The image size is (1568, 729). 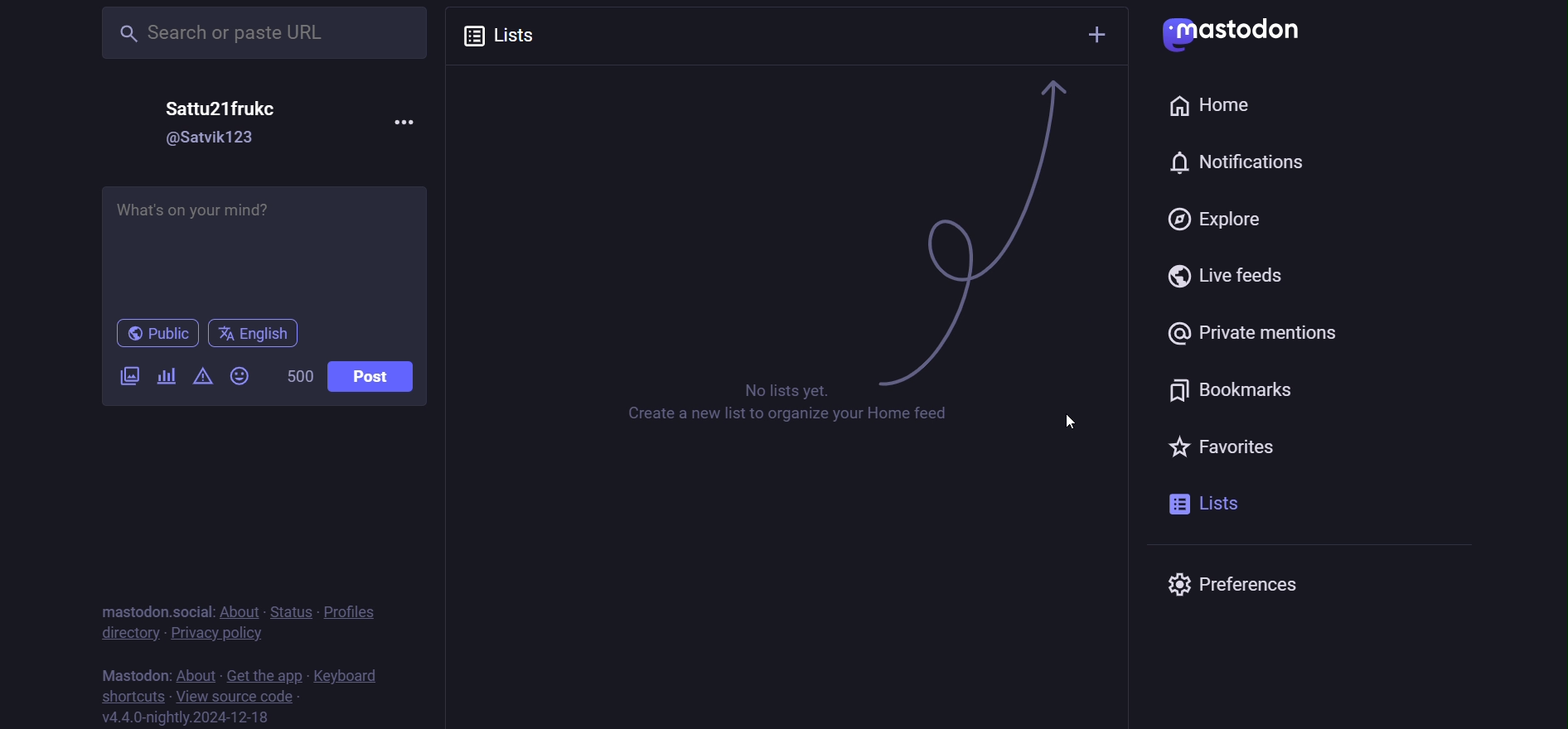 I want to click on public, so click(x=150, y=333).